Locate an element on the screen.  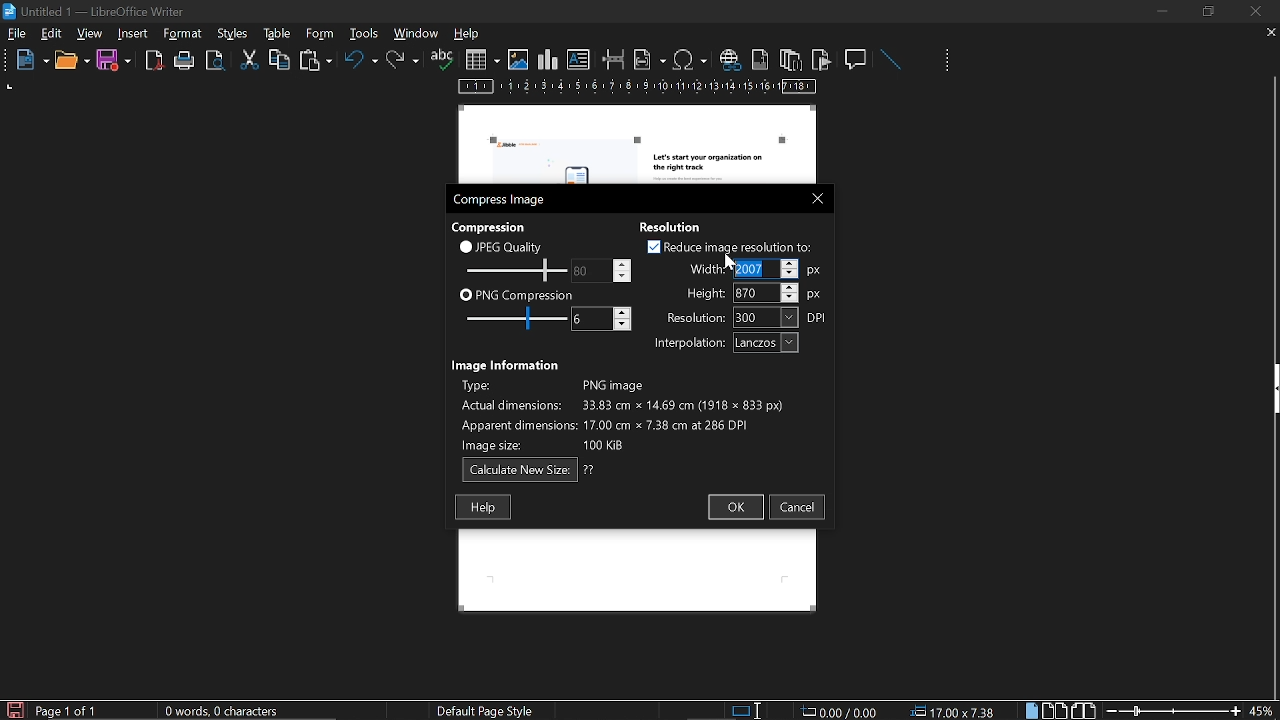
insert endnote is located at coordinates (790, 59).